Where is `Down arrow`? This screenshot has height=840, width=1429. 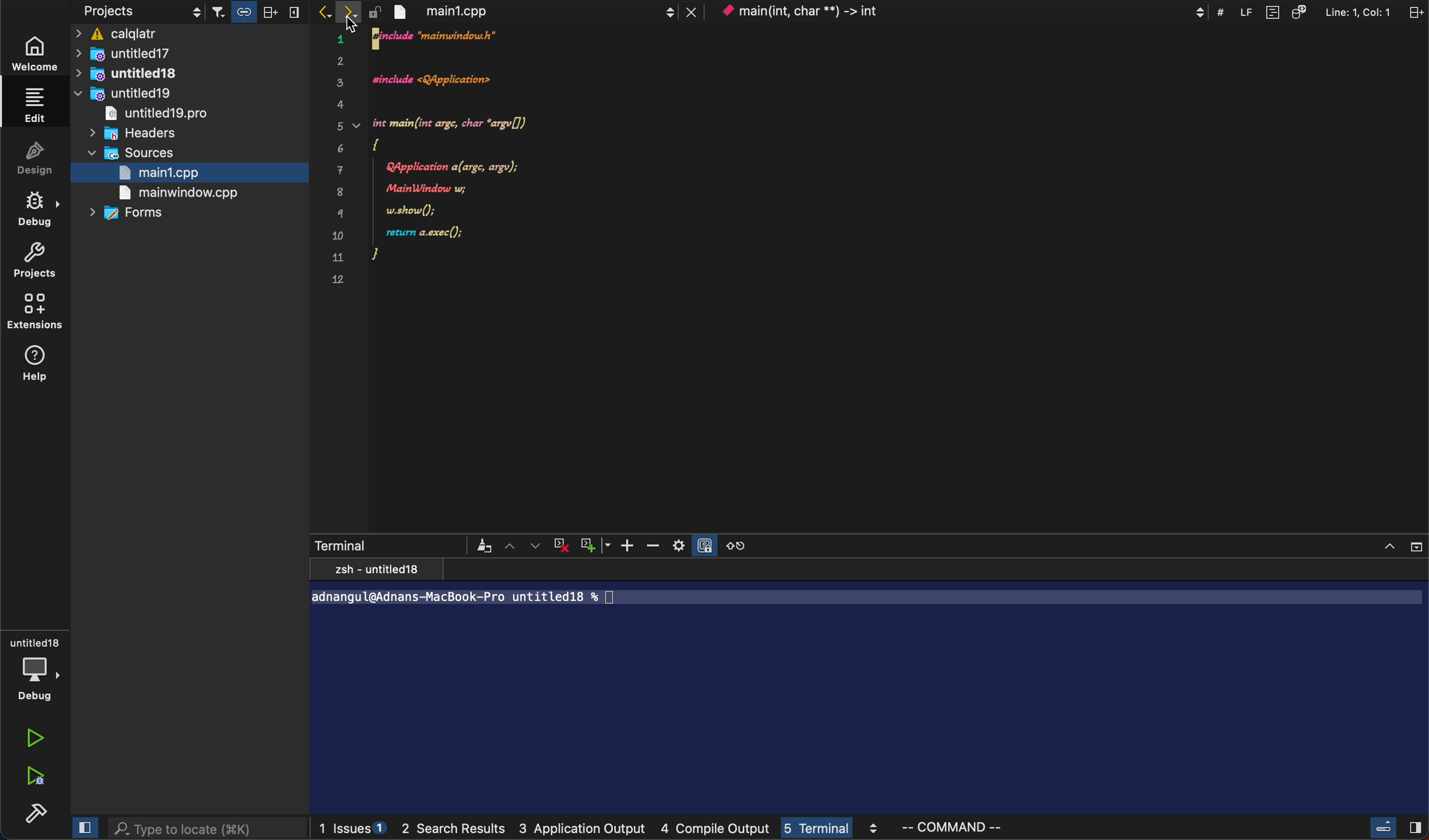 Down arrow is located at coordinates (611, 545).